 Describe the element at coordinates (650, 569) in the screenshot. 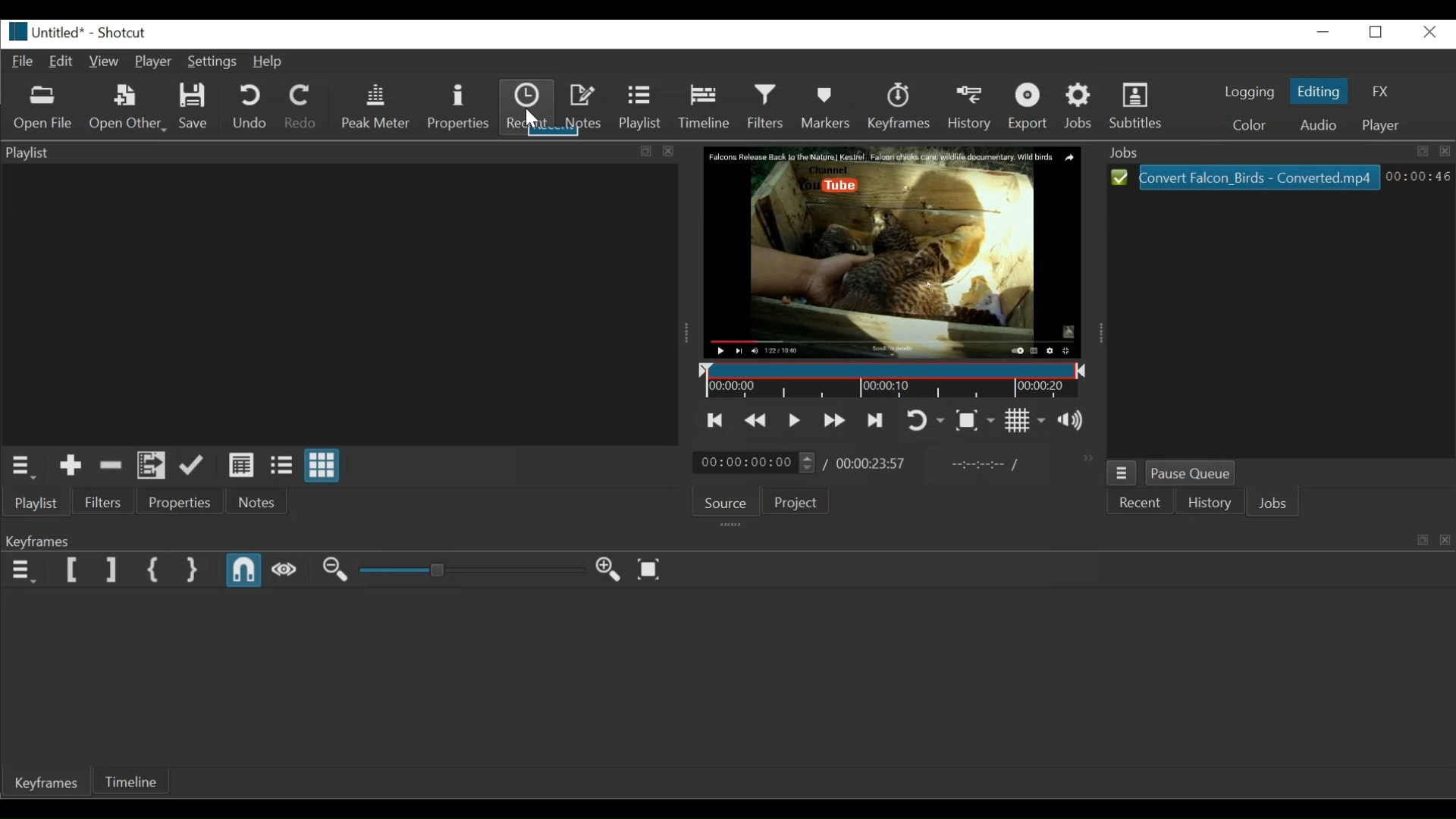

I see `Zoom timeline to fit` at that location.